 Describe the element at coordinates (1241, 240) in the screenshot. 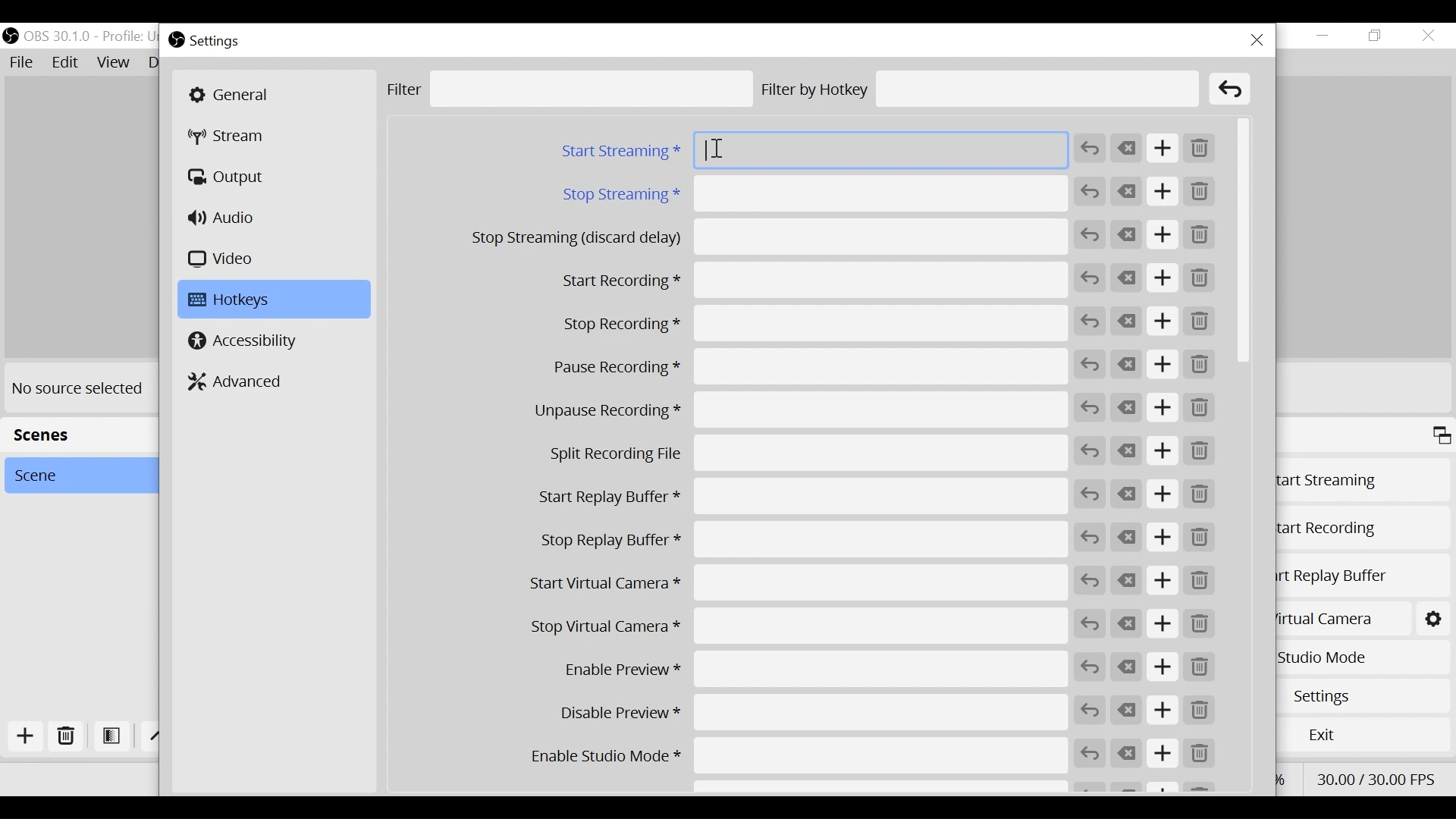

I see `Vertical Scroll bar` at that location.